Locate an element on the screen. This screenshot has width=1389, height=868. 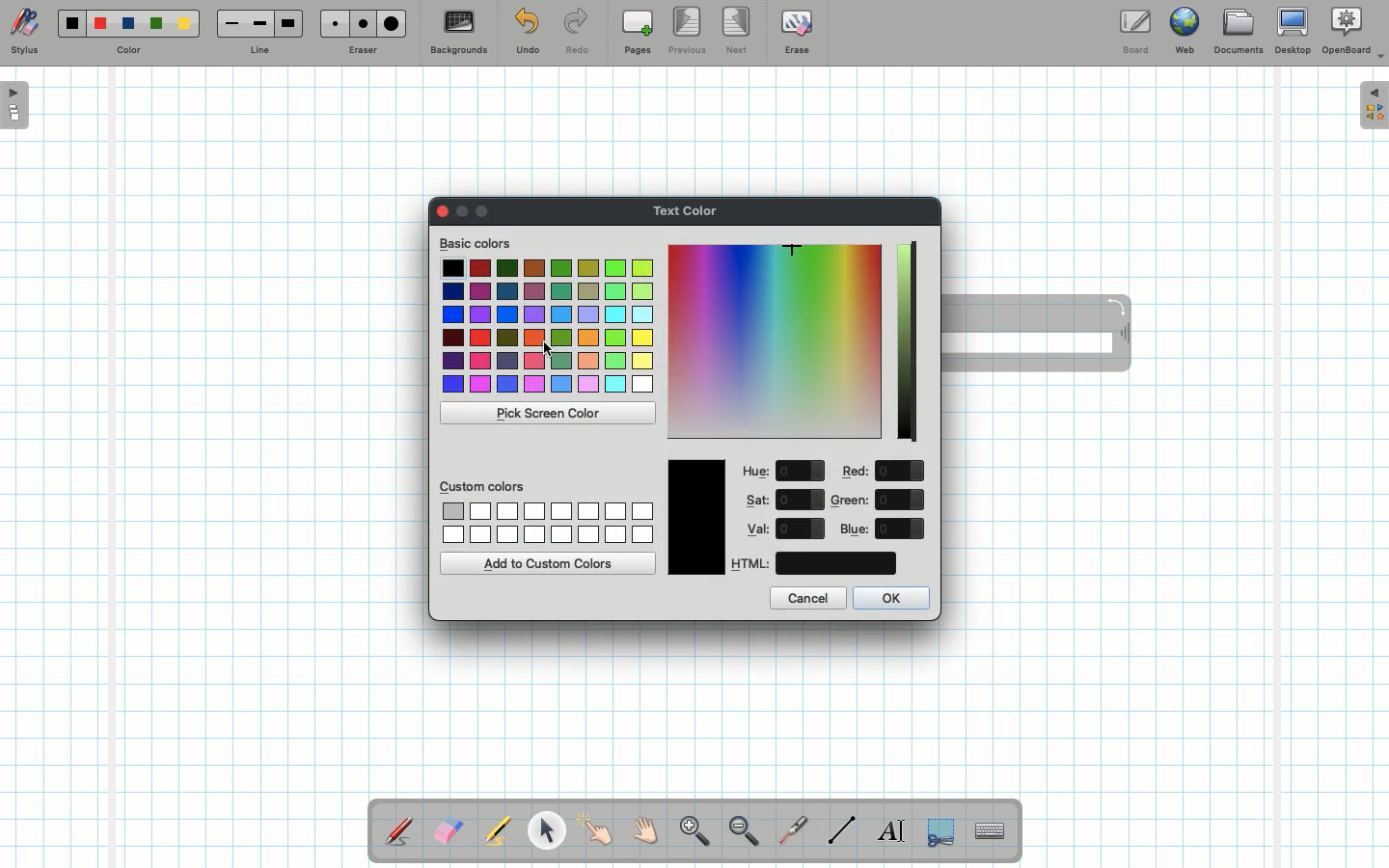
value is located at coordinates (900, 529).